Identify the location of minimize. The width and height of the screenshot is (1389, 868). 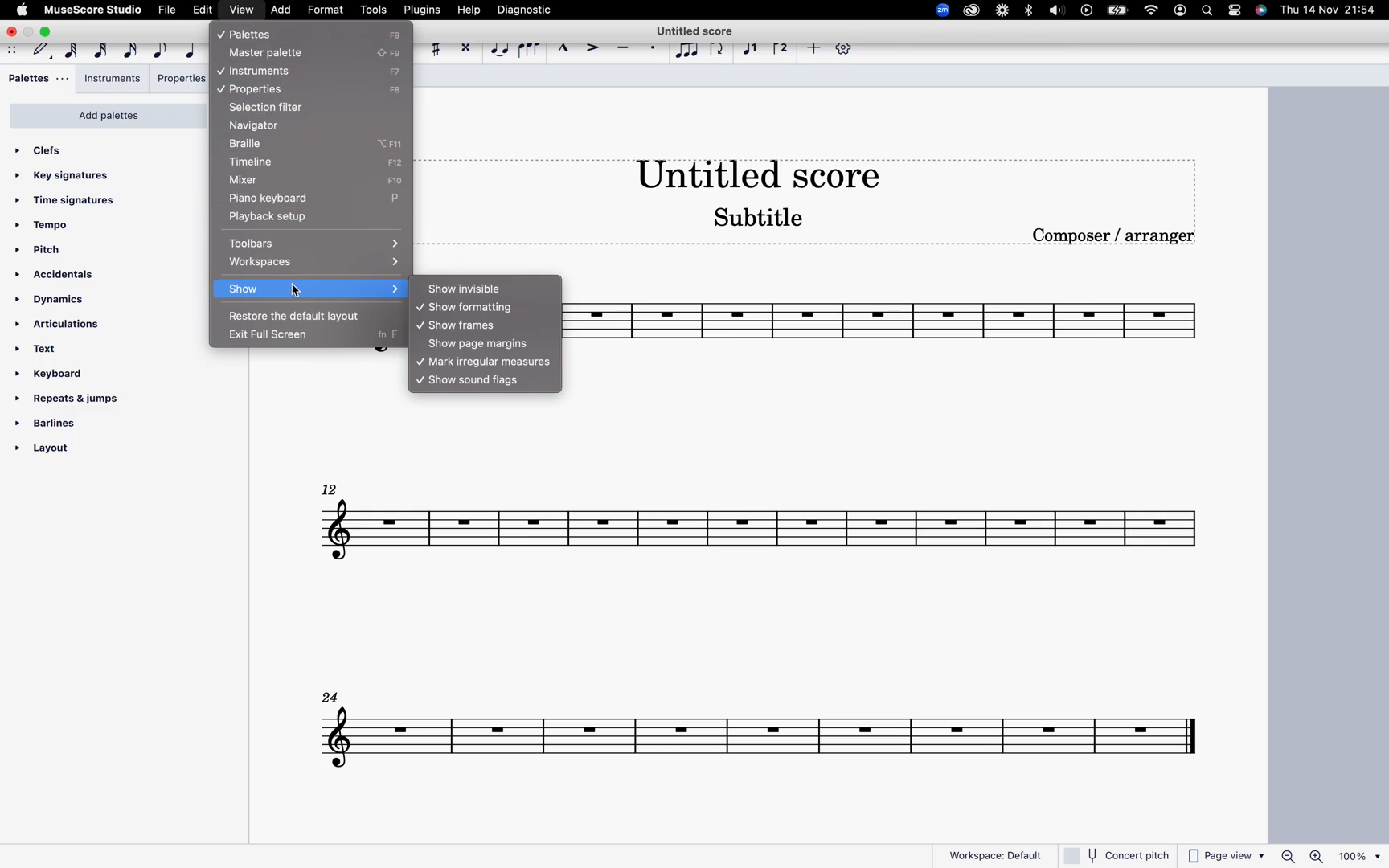
(27, 31).